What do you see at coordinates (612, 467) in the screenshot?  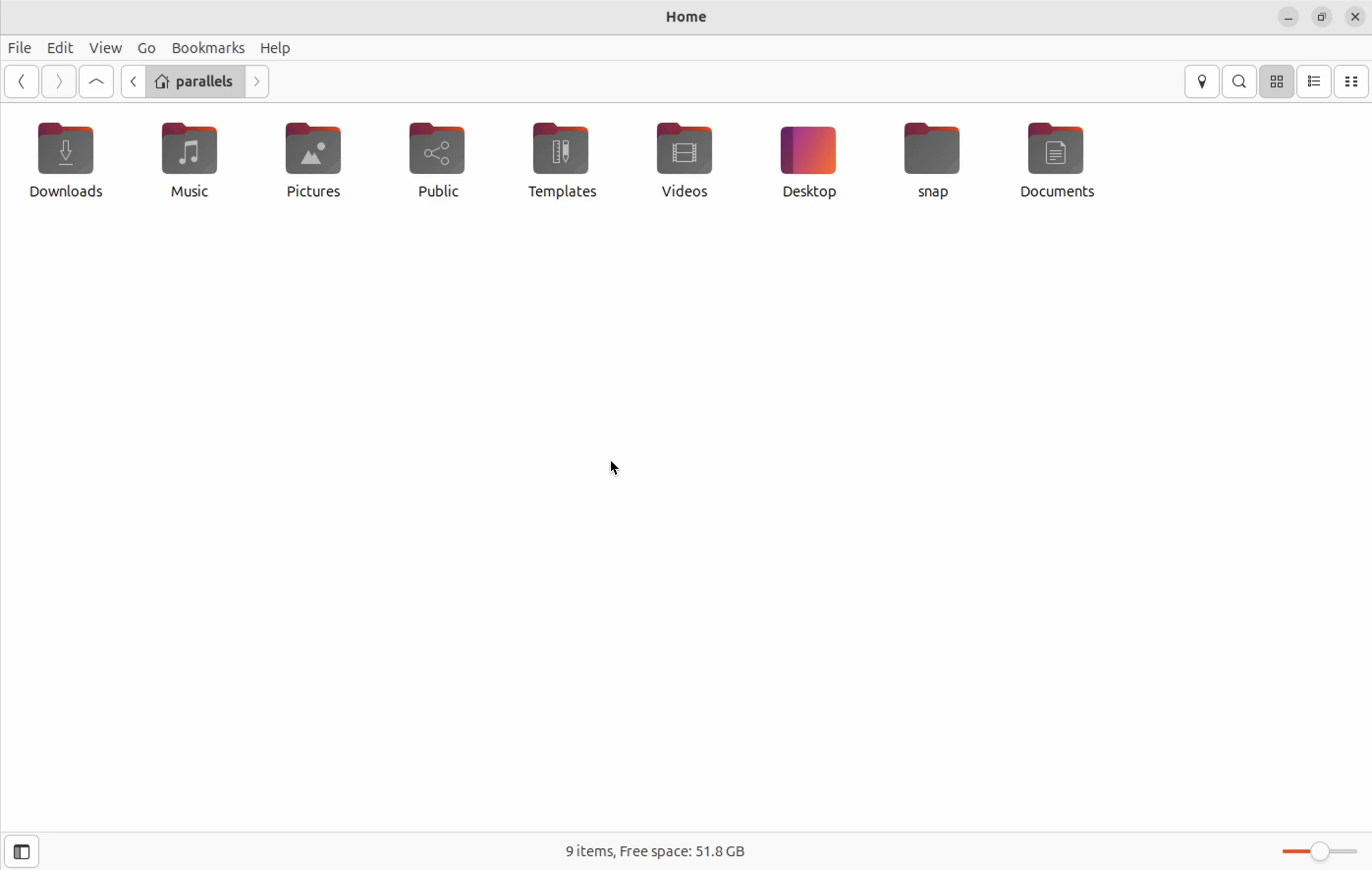 I see `cursor` at bounding box center [612, 467].